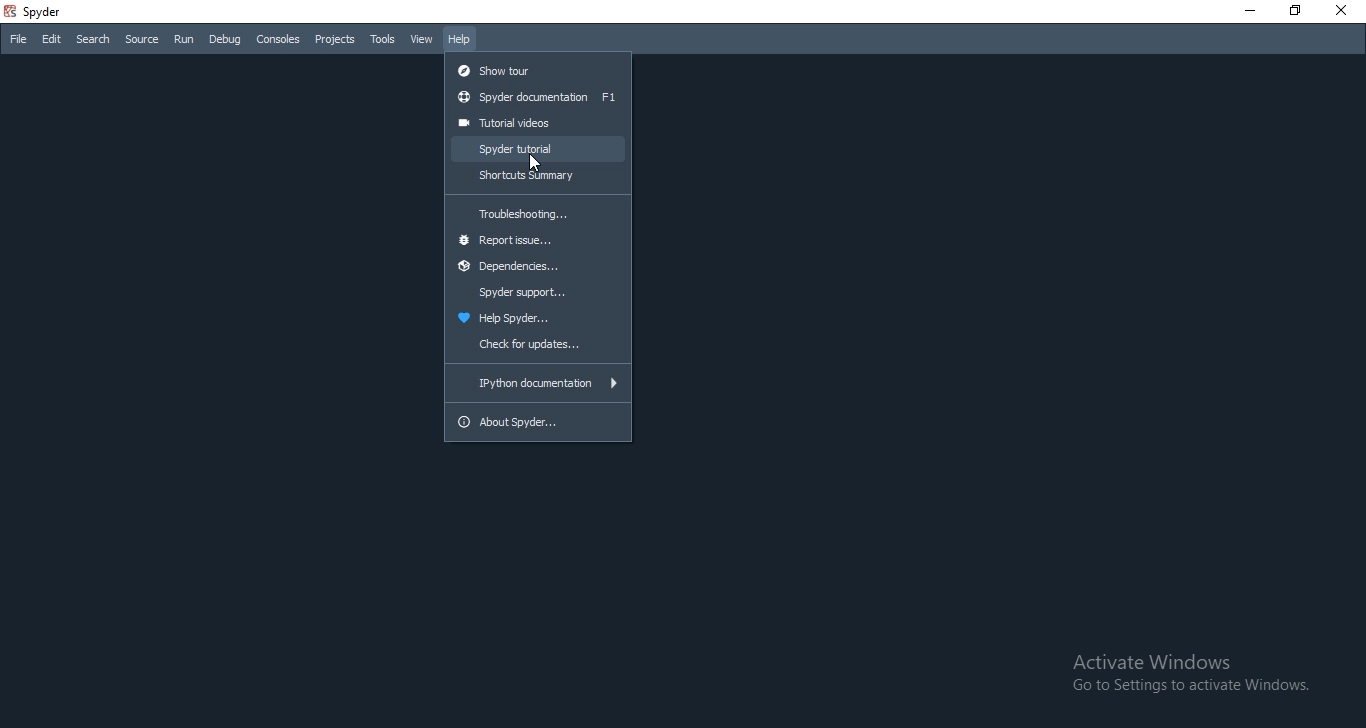  What do you see at coordinates (16, 39) in the screenshot?
I see `File ` at bounding box center [16, 39].